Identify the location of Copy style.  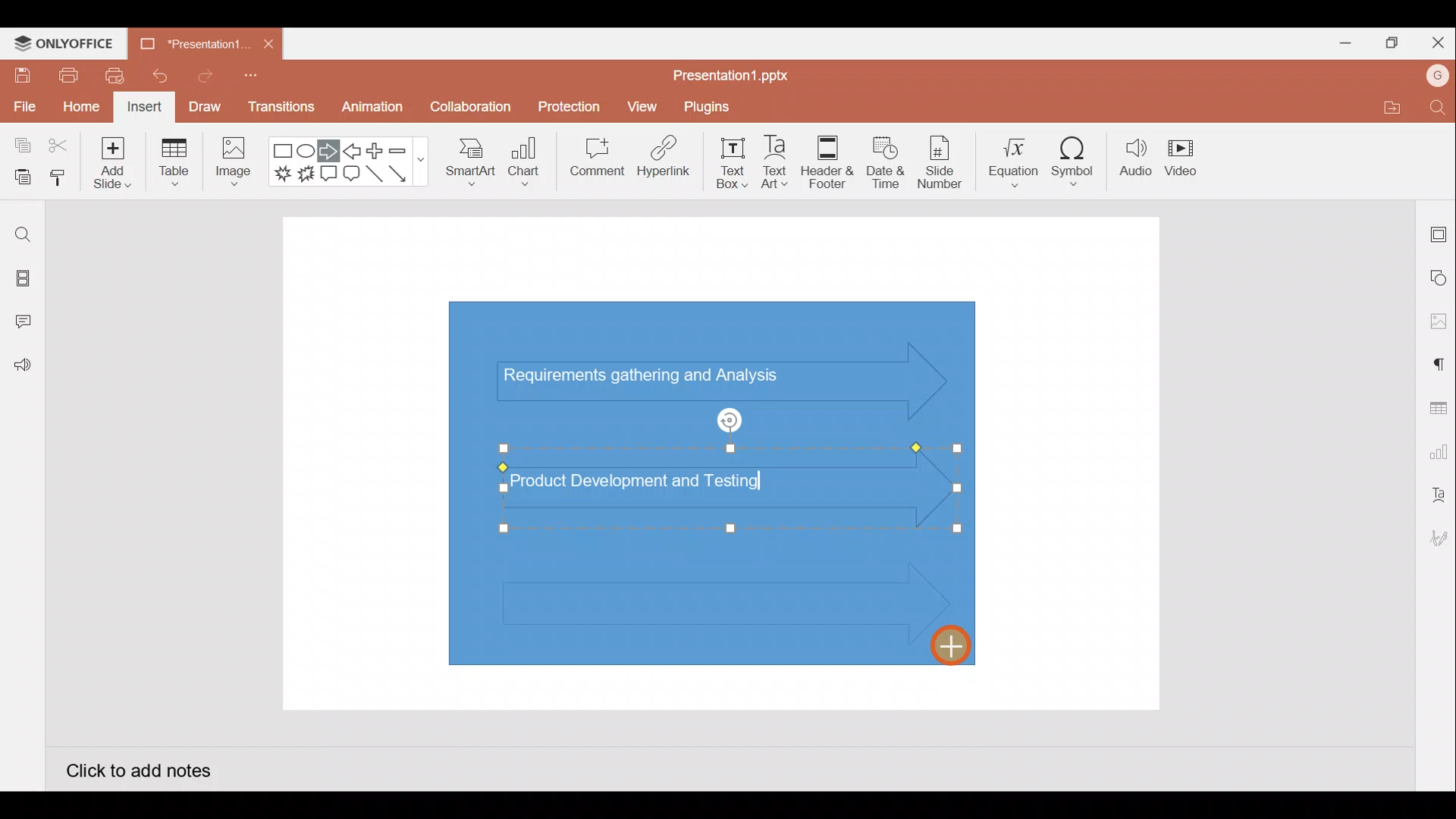
(59, 180).